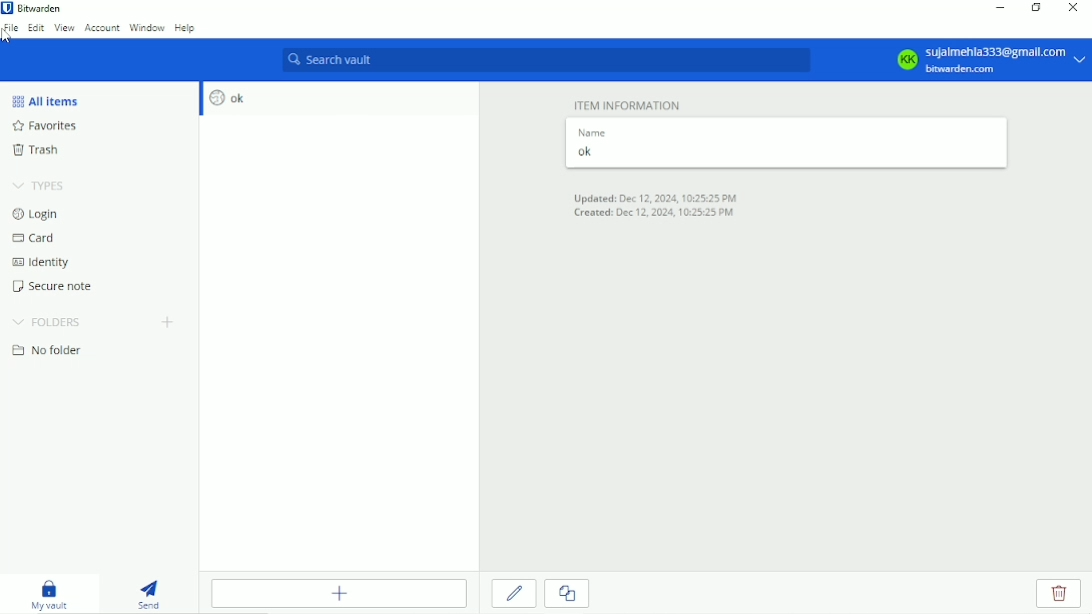  I want to click on Trash, so click(47, 151).